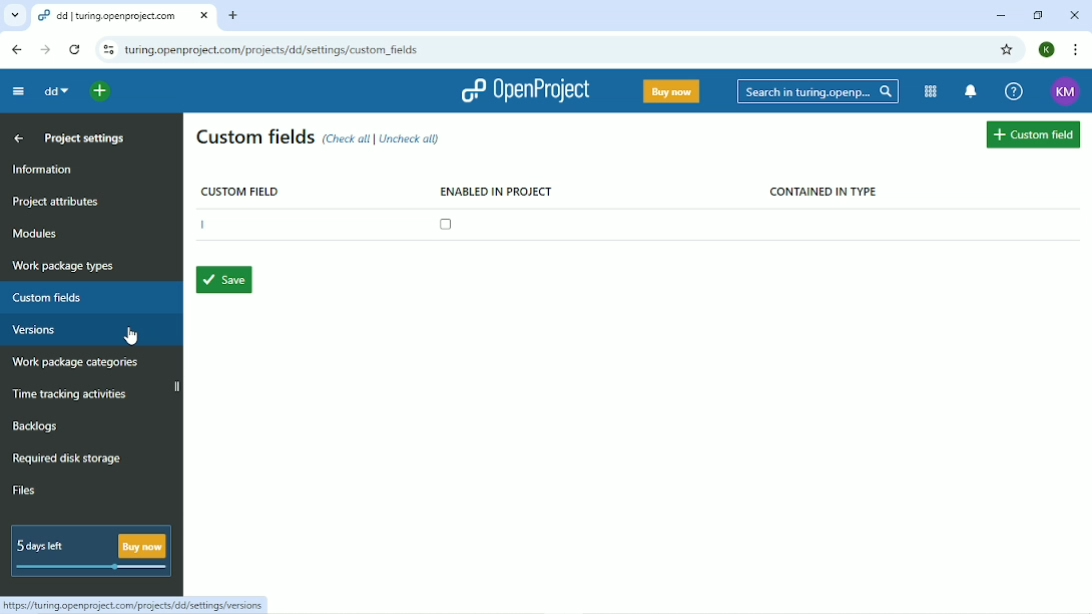 The width and height of the screenshot is (1092, 614). I want to click on Check all, so click(347, 140).